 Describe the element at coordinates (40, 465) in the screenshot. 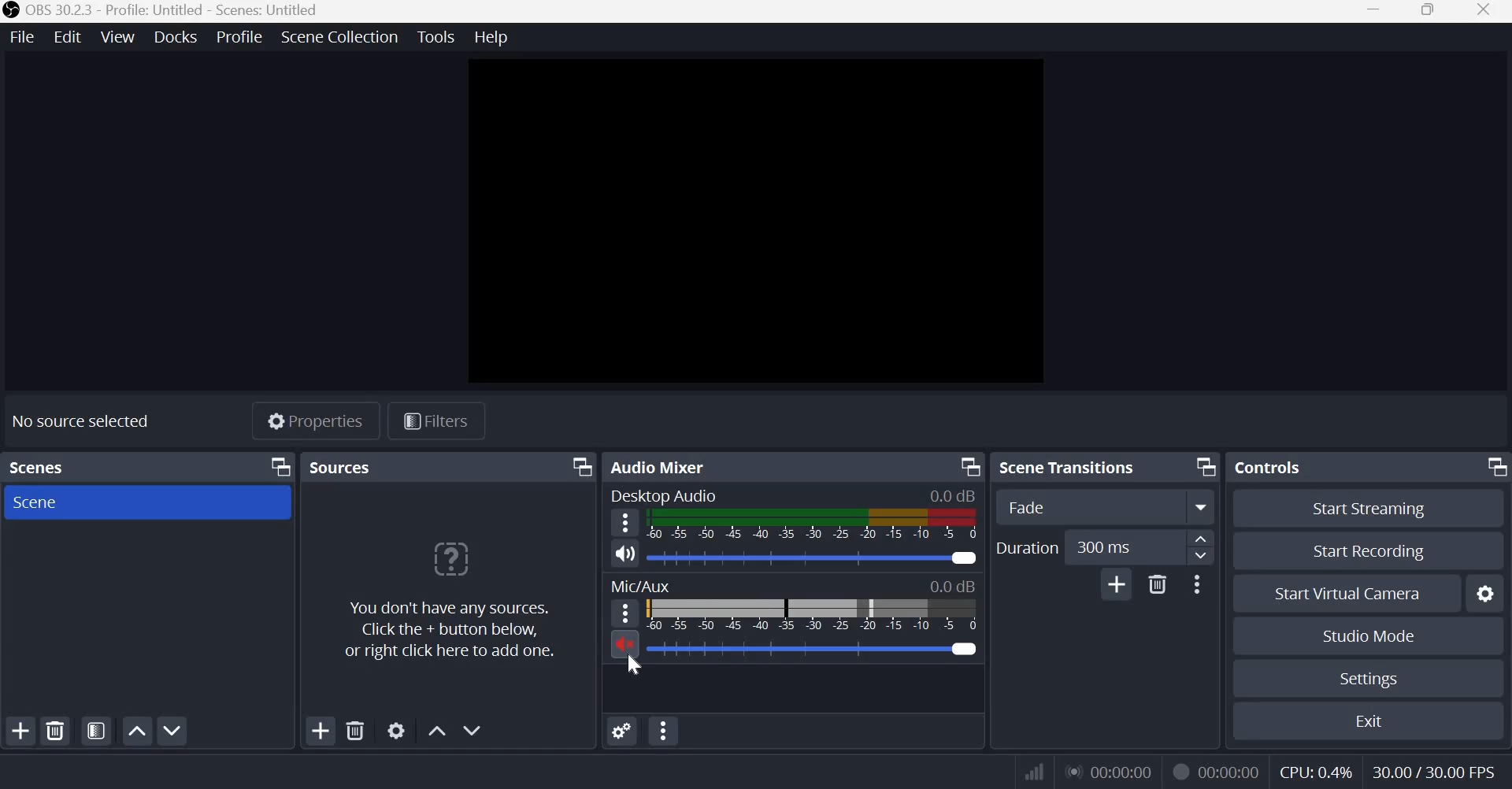

I see `Scenes` at that location.